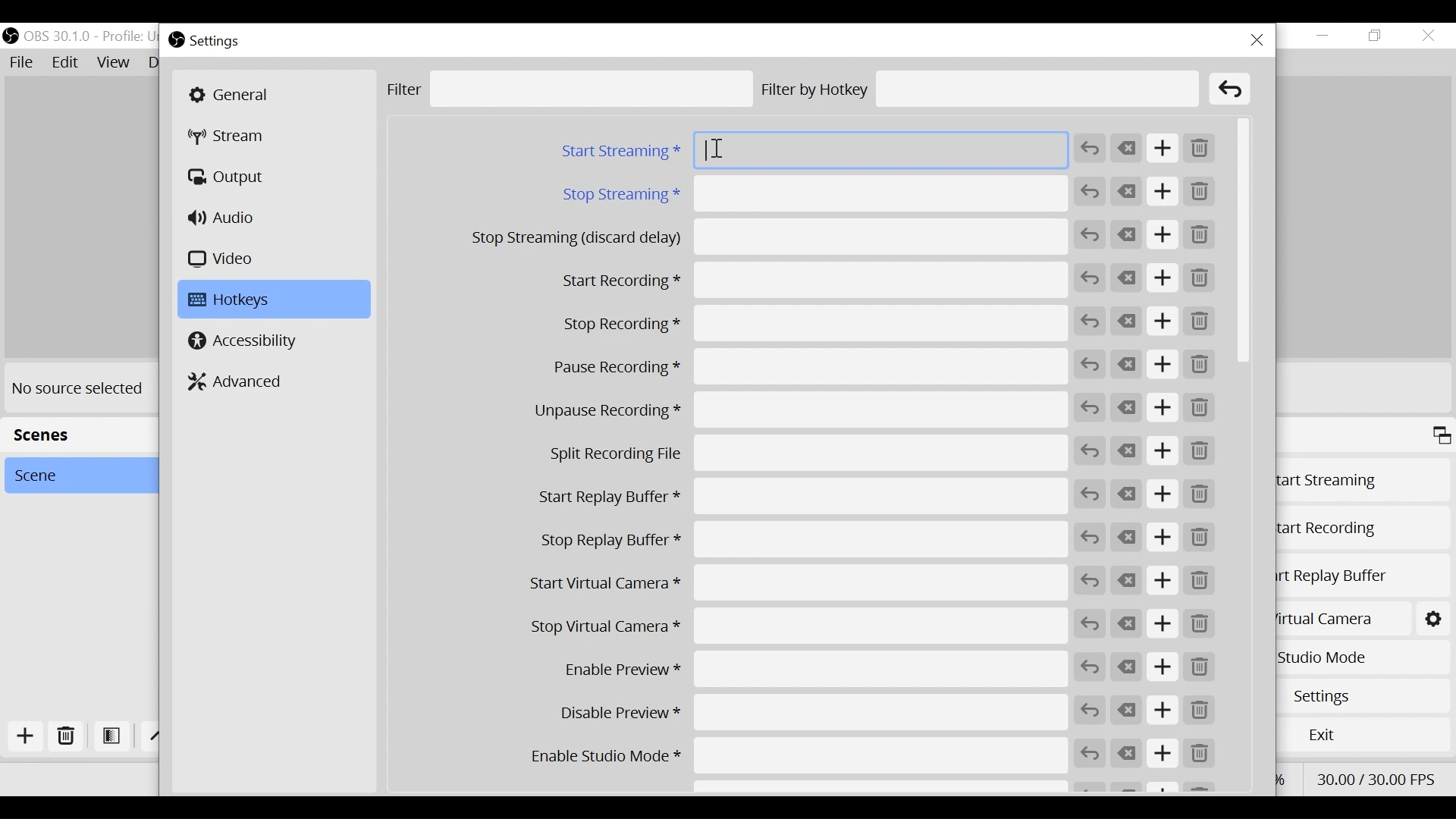 This screenshot has width=1456, height=819. I want to click on Remove, so click(1199, 453).